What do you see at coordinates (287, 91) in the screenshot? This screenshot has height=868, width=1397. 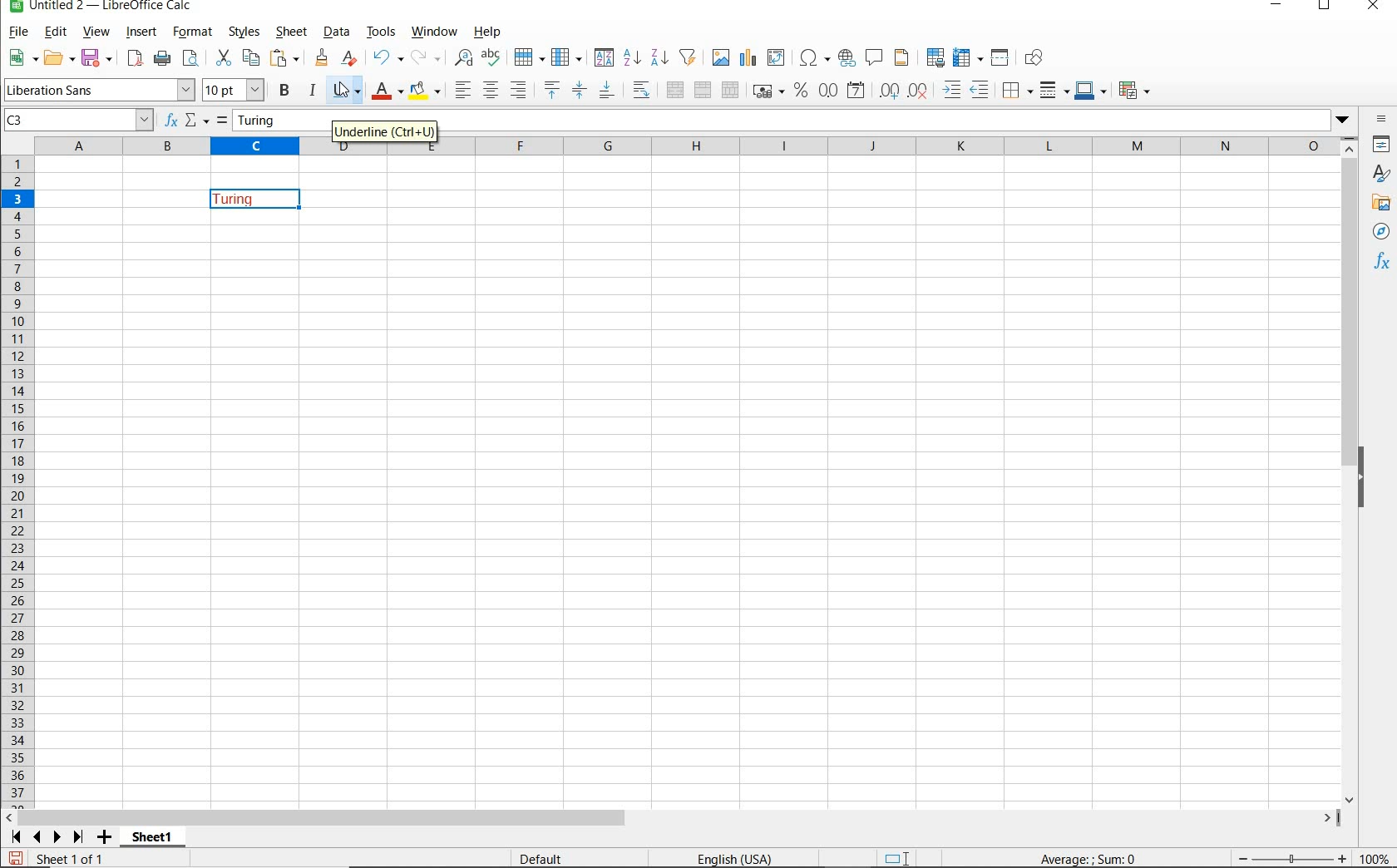 I see `BOLD` at bounding box center [287, 91].